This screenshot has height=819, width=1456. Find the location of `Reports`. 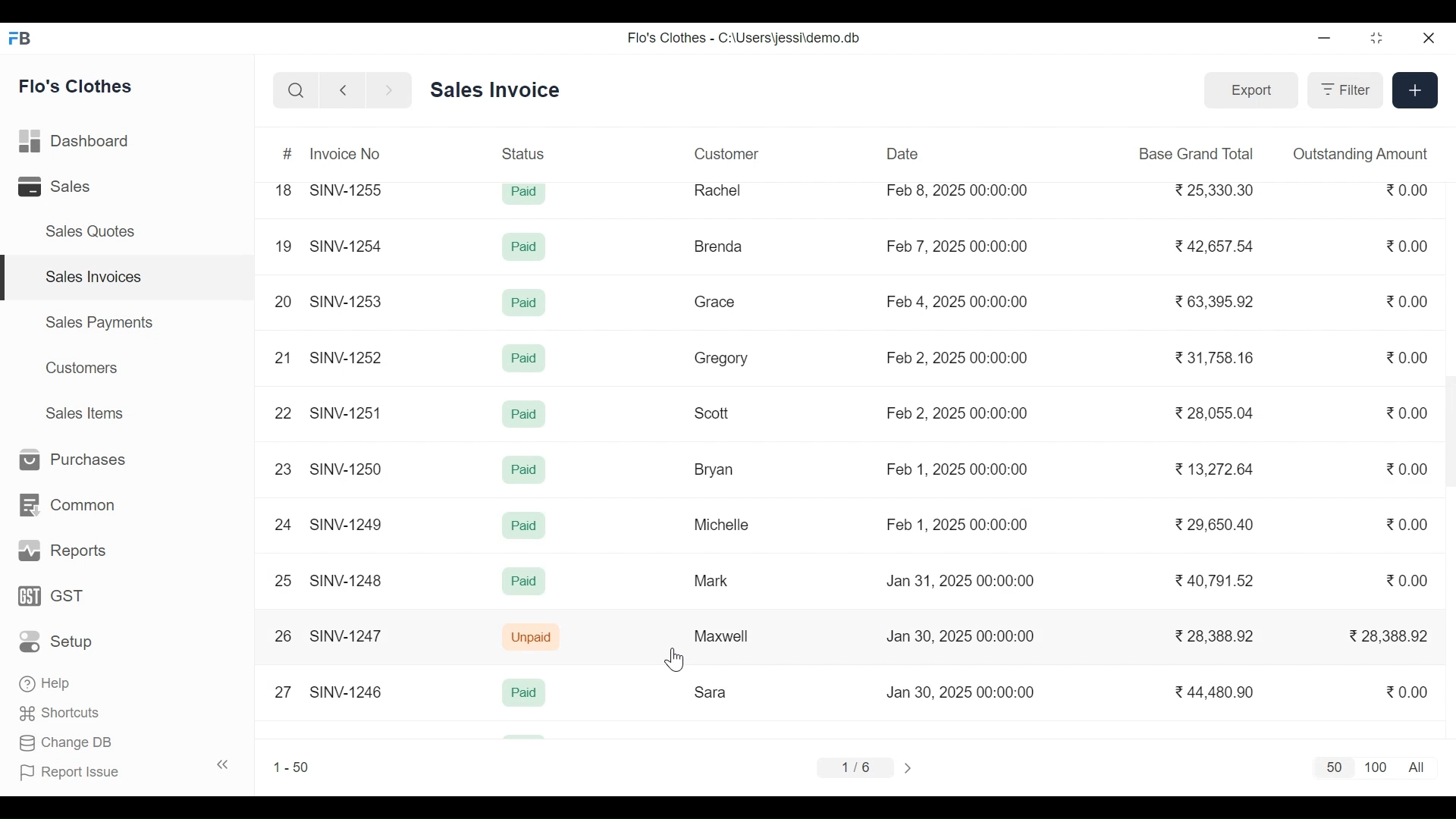

Reports is located at coordinates (59, 551).